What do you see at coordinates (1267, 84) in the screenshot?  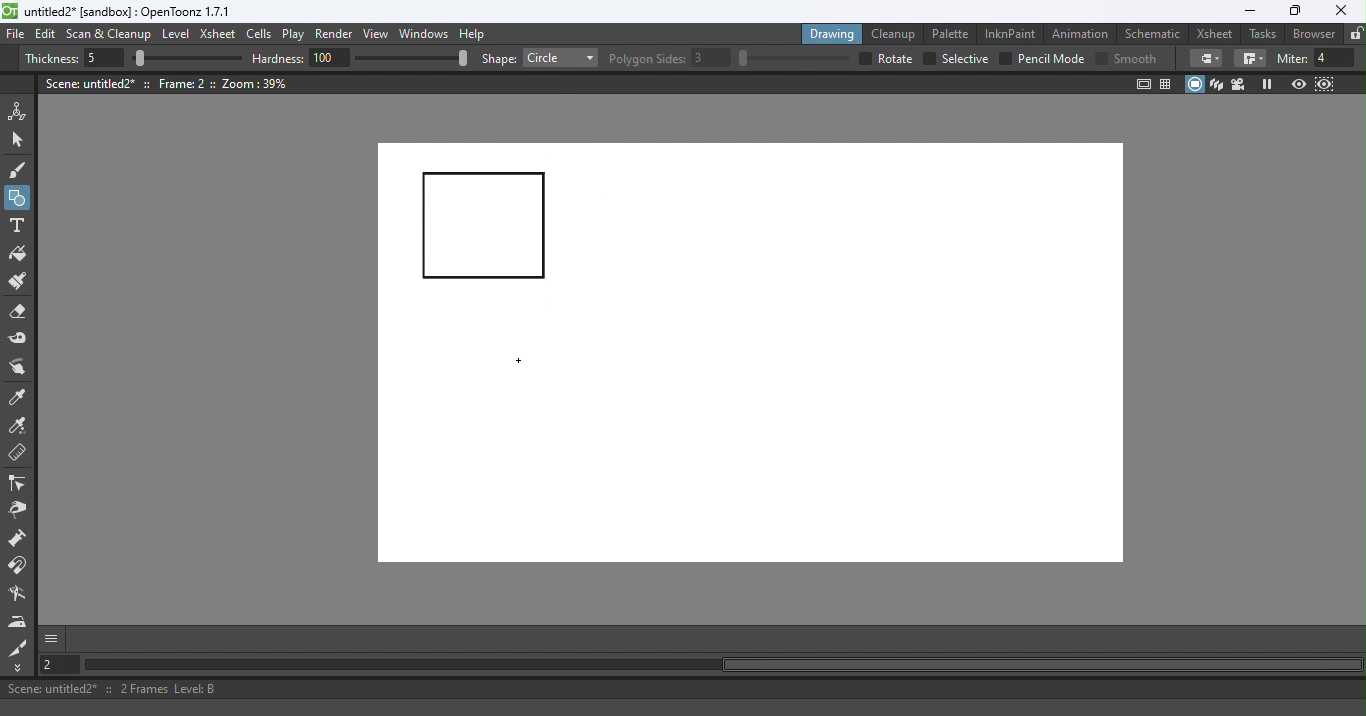 I see `Freeze` at bounding box center [1267, 84].